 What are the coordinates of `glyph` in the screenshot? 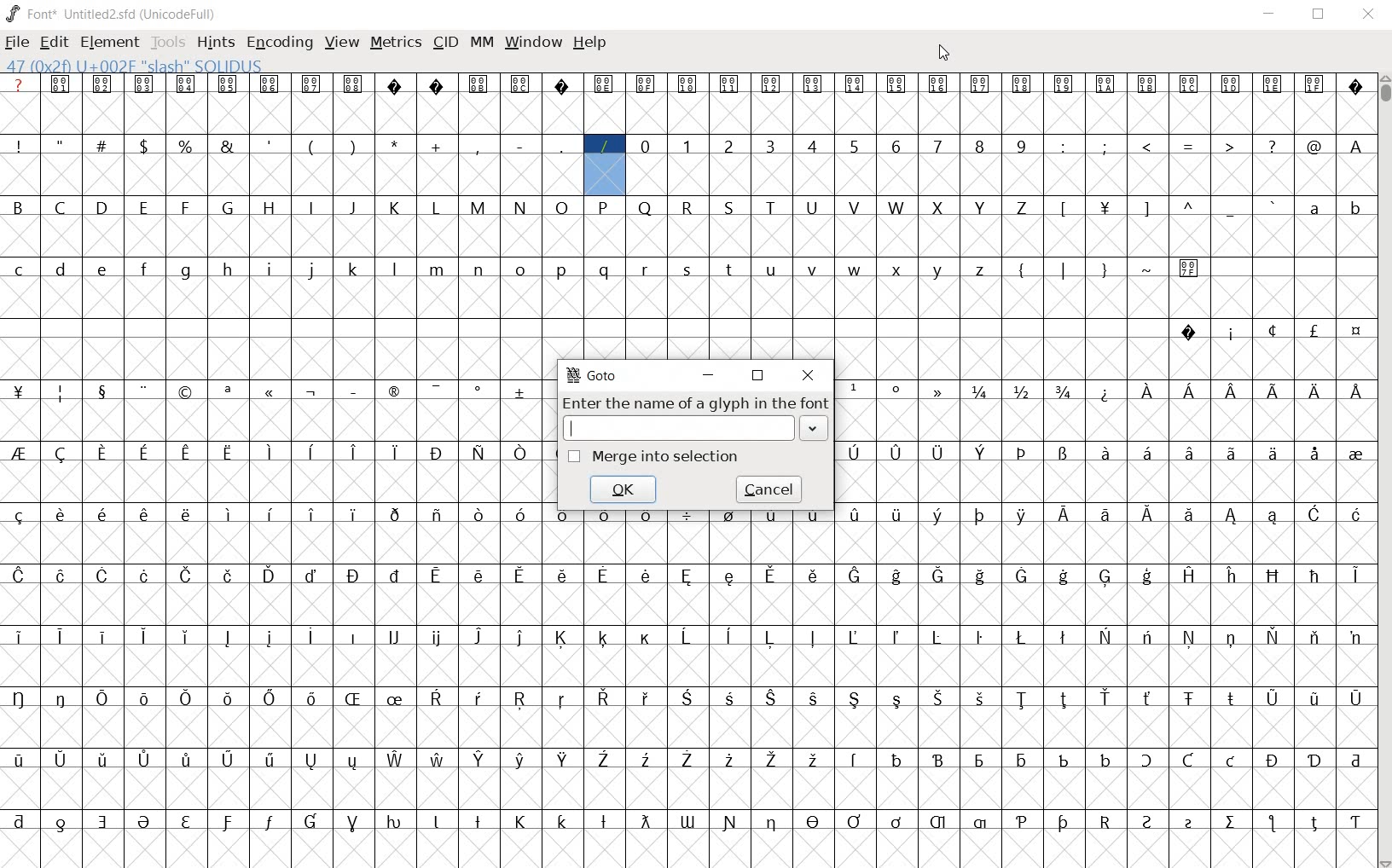 It's located at (1189, 269).